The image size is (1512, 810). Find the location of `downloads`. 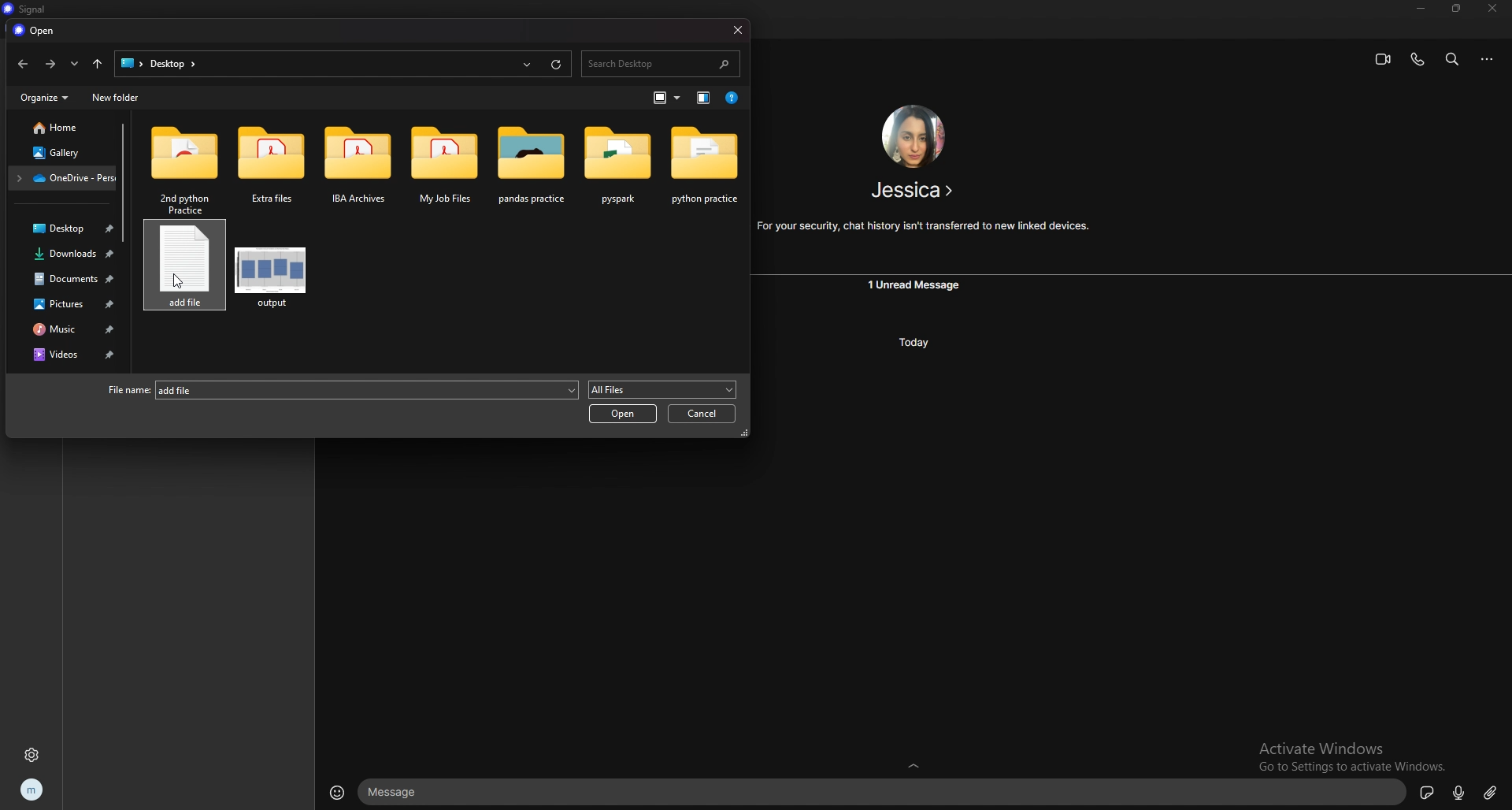

downloads is located at coordinates (68, 256).